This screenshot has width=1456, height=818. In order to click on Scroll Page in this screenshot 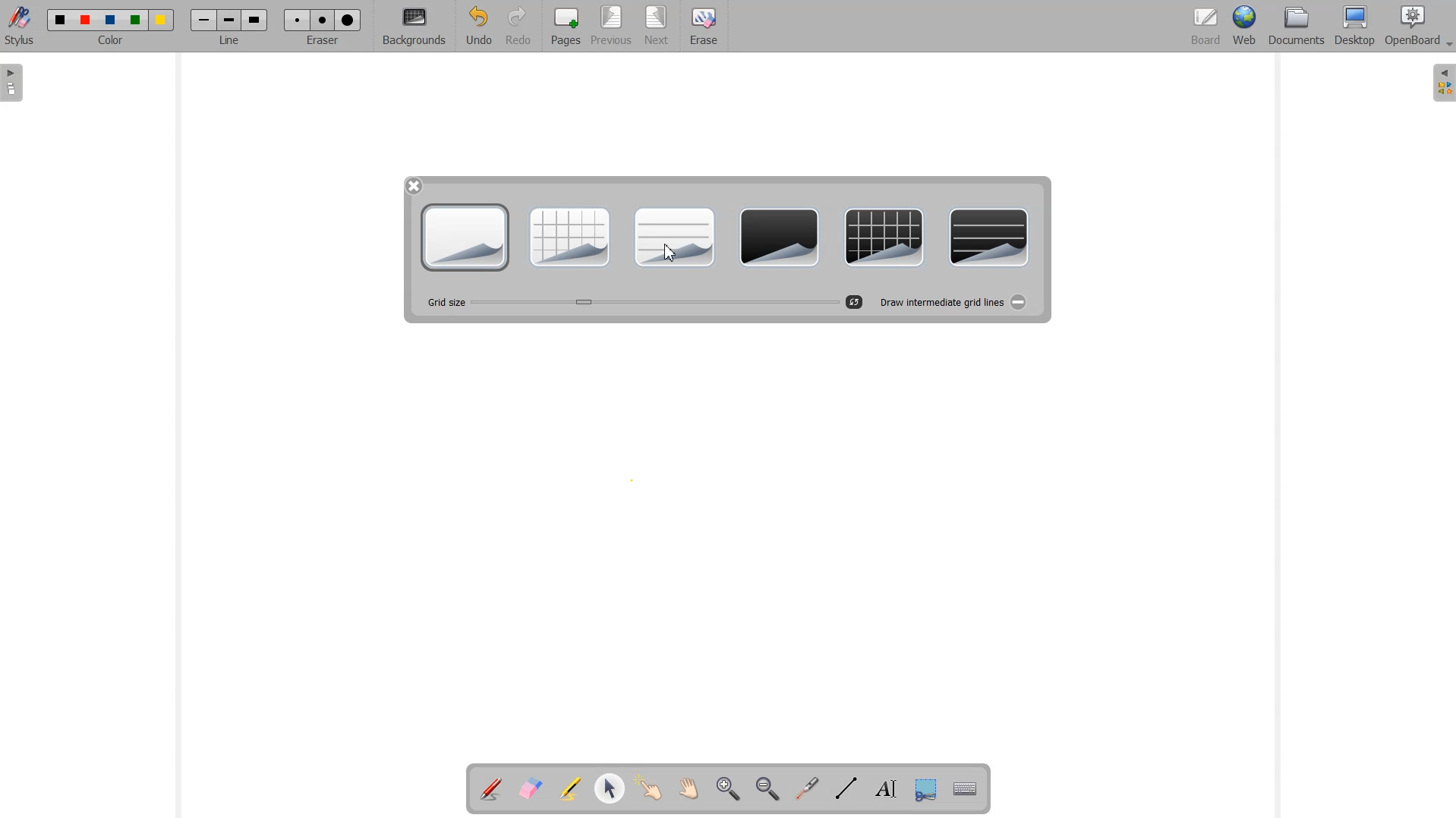, I will do `click(689, 790)`.